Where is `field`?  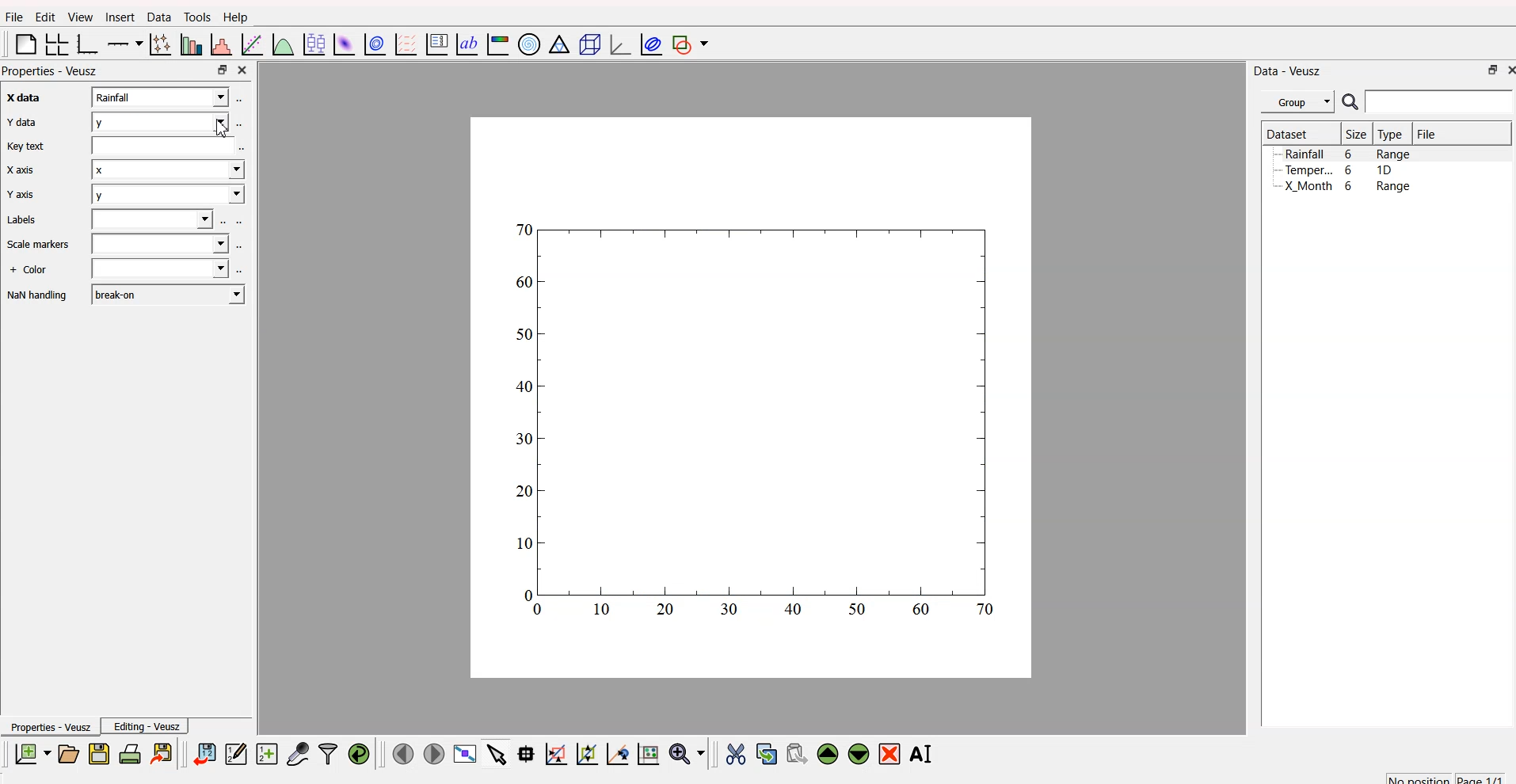
field is located at coordinates (162, 149).